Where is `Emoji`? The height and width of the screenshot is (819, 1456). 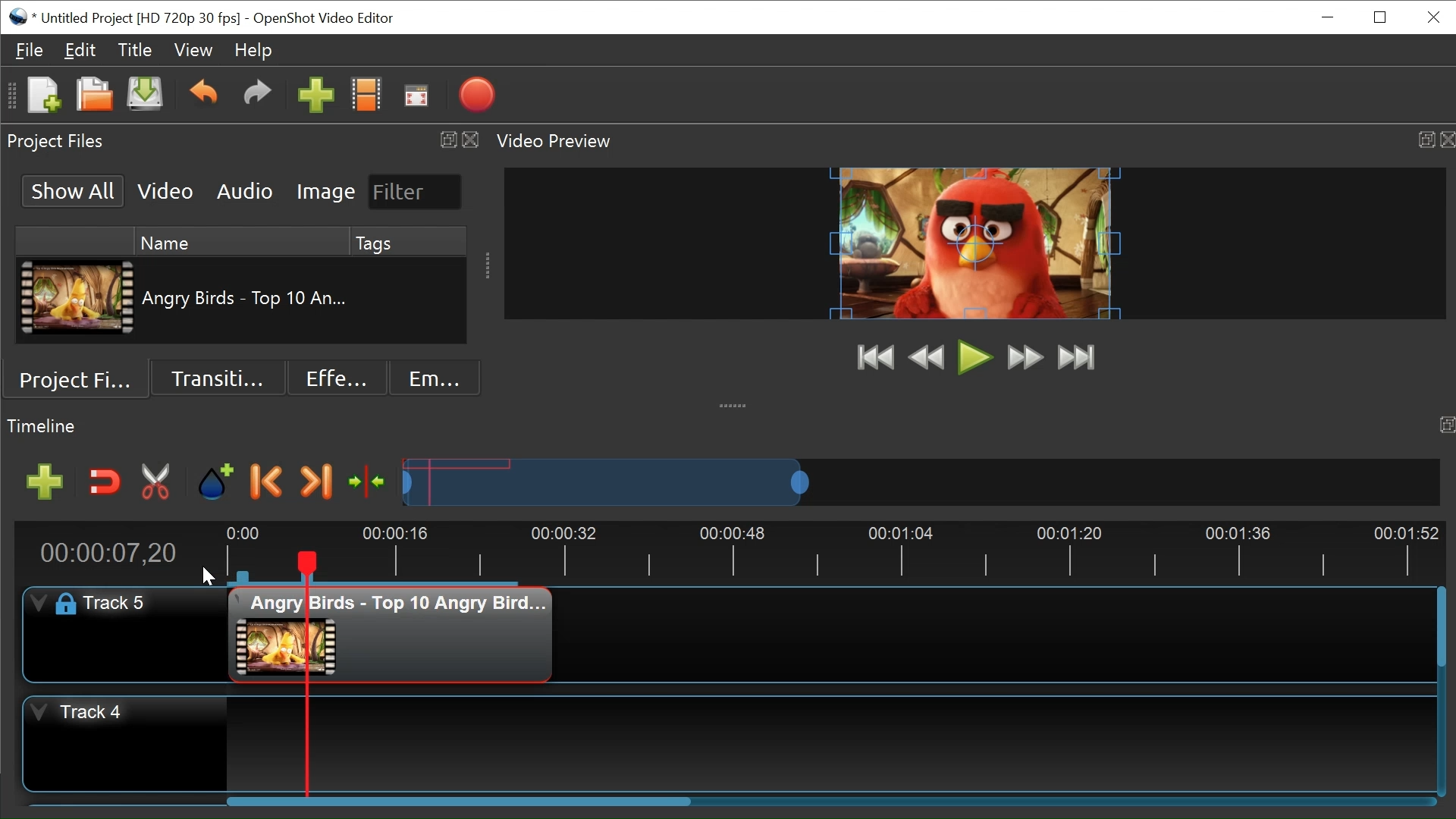 Emoji is located at coordinates (430, 378).